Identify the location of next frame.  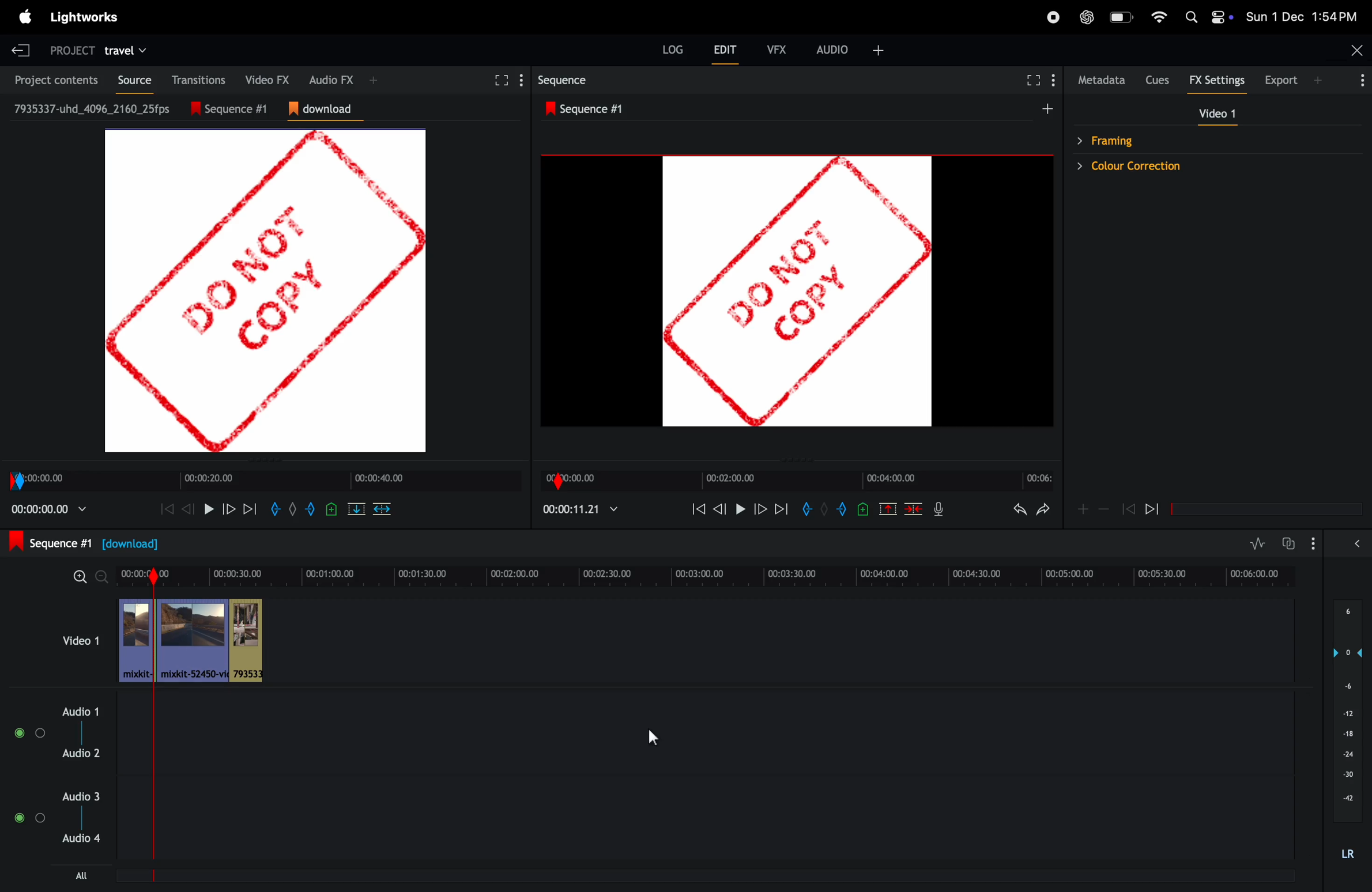
(782, 508).